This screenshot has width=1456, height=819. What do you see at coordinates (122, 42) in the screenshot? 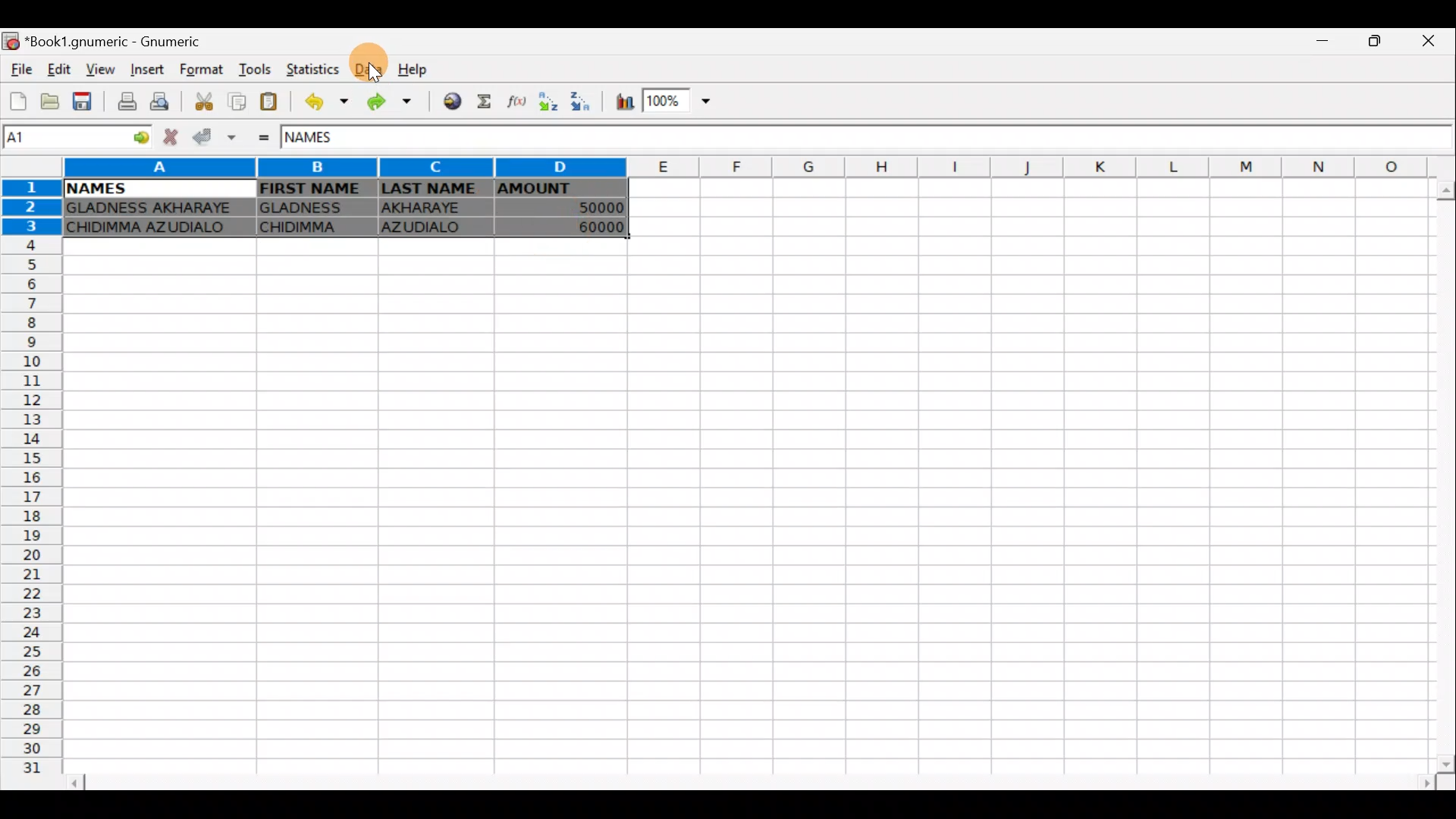
I see `*Book1.gnumeric - Gnumeric` at bounding box center [122, 42].